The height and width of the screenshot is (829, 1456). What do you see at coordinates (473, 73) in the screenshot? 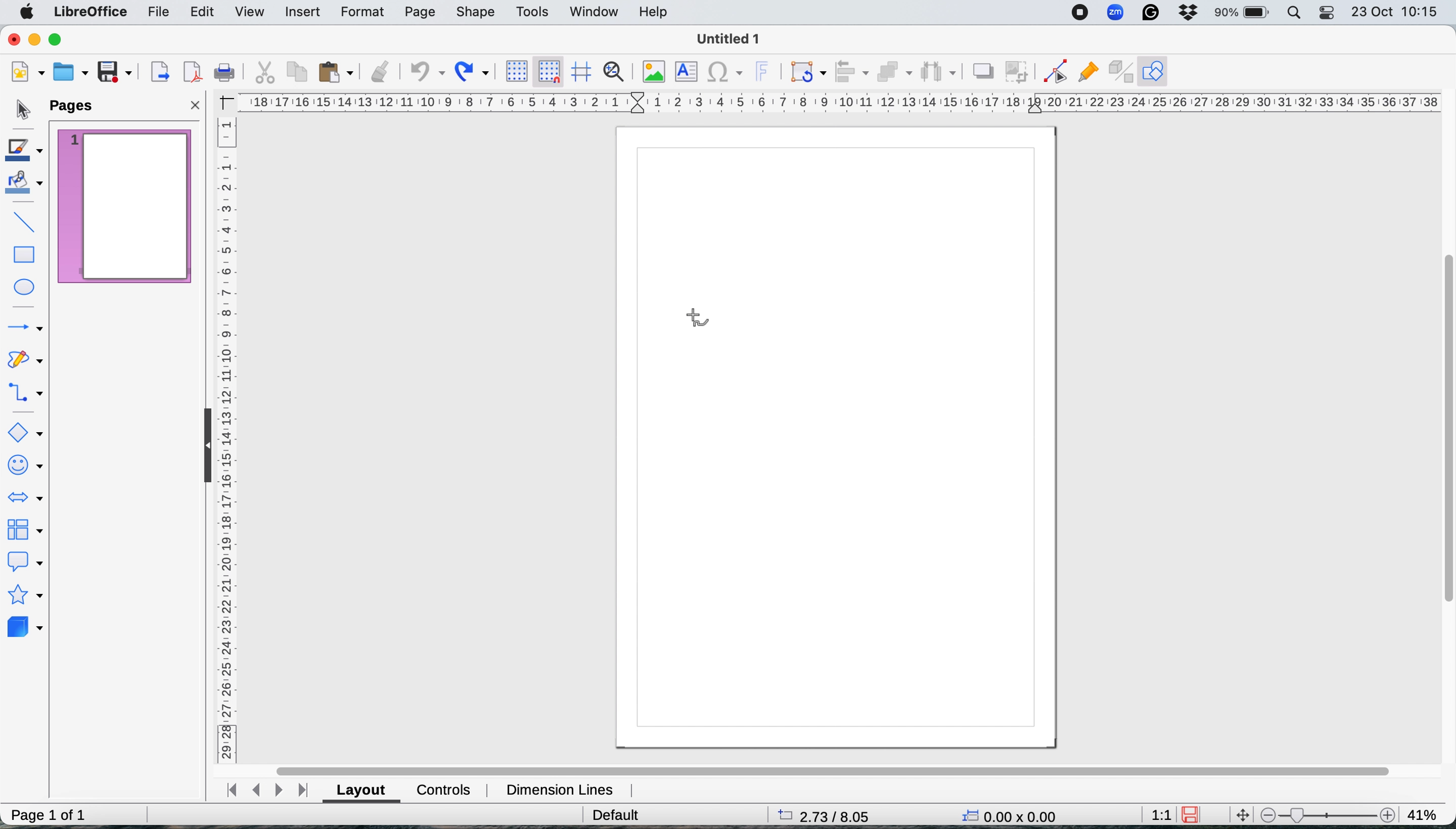
I see `redo` at bounding box center [473, 73].